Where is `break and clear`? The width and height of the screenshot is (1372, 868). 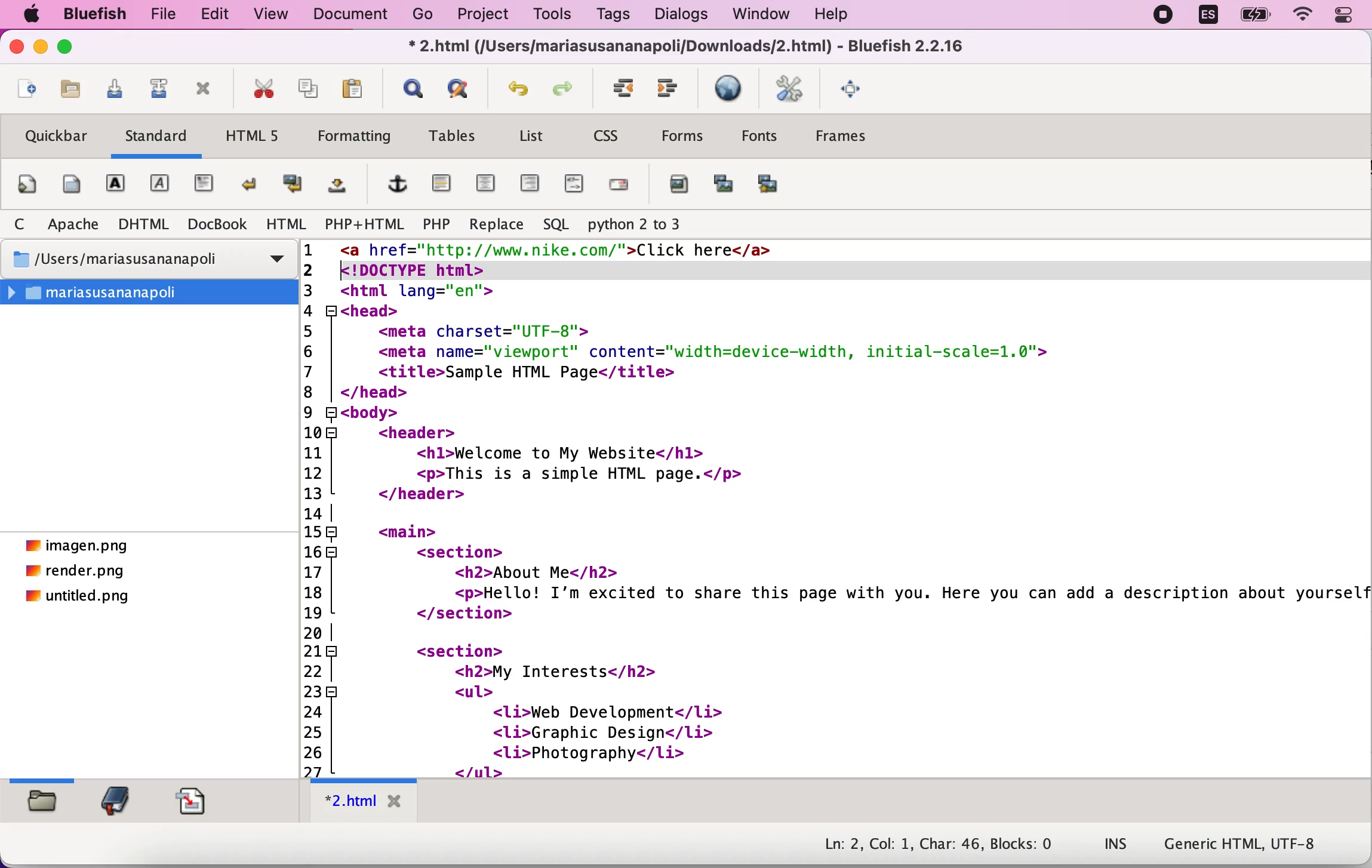 break and clear is located at coordinates (291, 186).